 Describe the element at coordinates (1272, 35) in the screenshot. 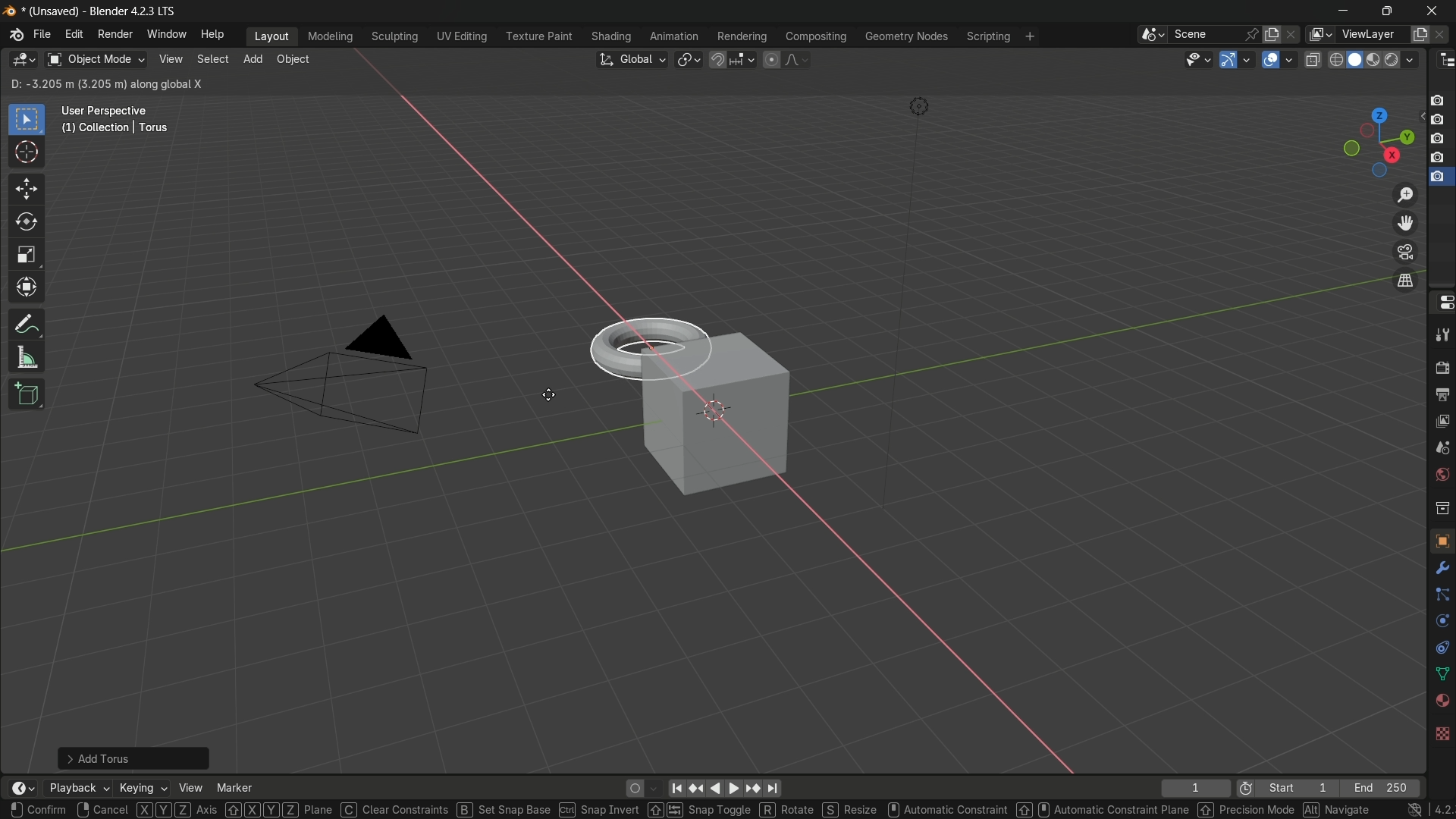

I see `add scene` at that location.